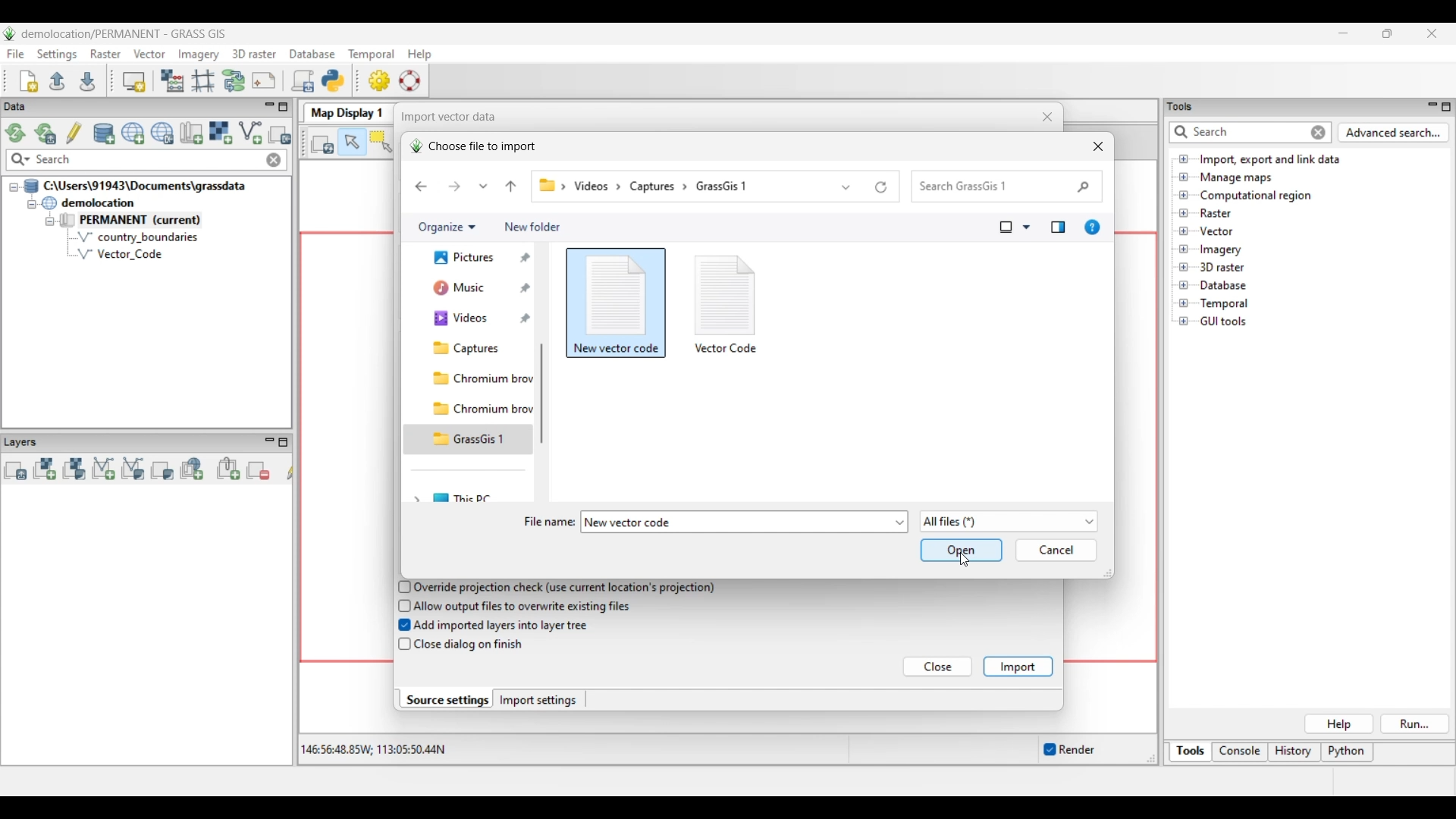 The height and width of the screenshot is (819, 1456). Describe the element at coordinates (234, 80) in the screenshot. I see `Graphical Modeler` at that location.